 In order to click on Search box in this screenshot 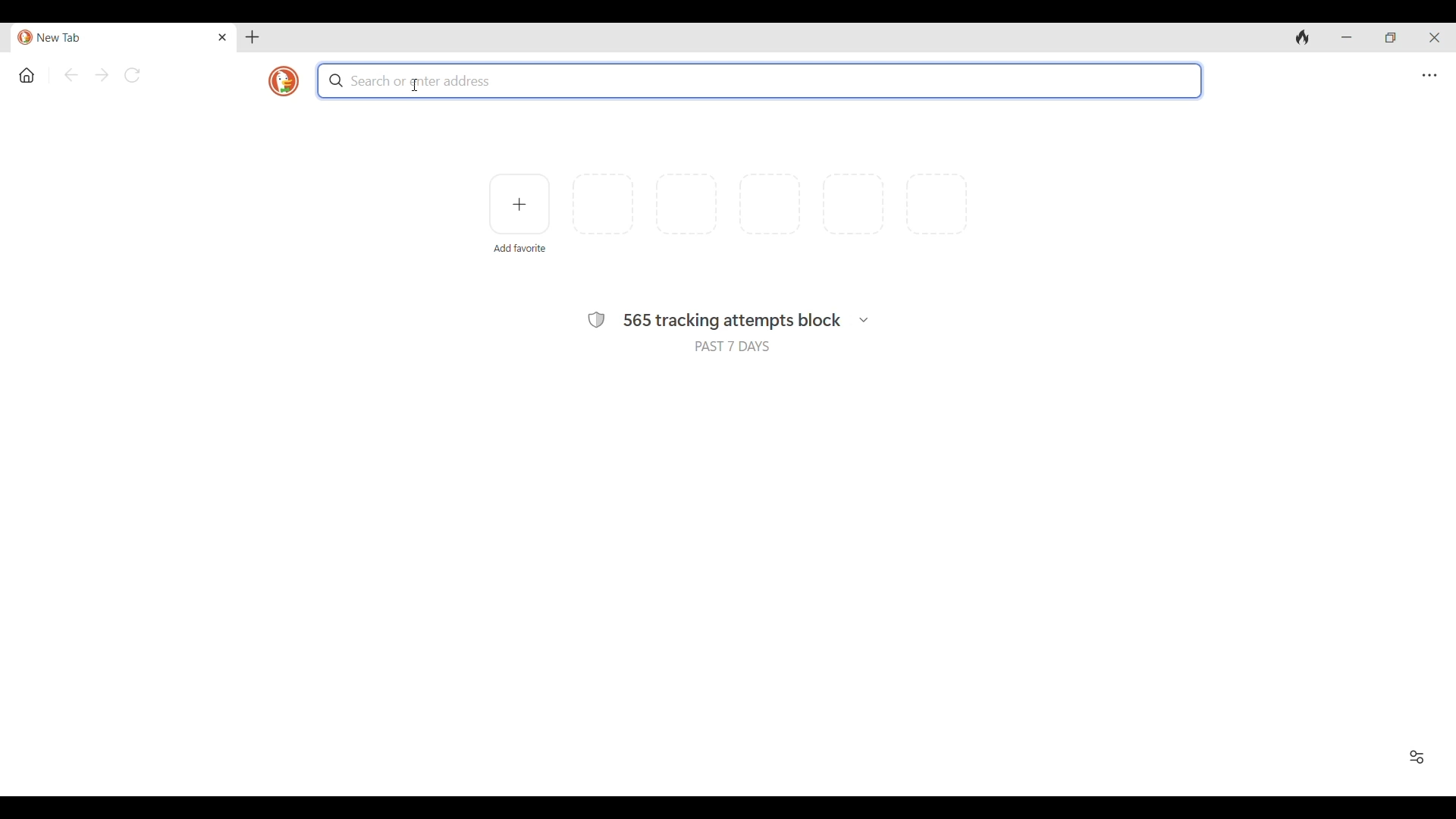, I will do `click(759, 80)`.